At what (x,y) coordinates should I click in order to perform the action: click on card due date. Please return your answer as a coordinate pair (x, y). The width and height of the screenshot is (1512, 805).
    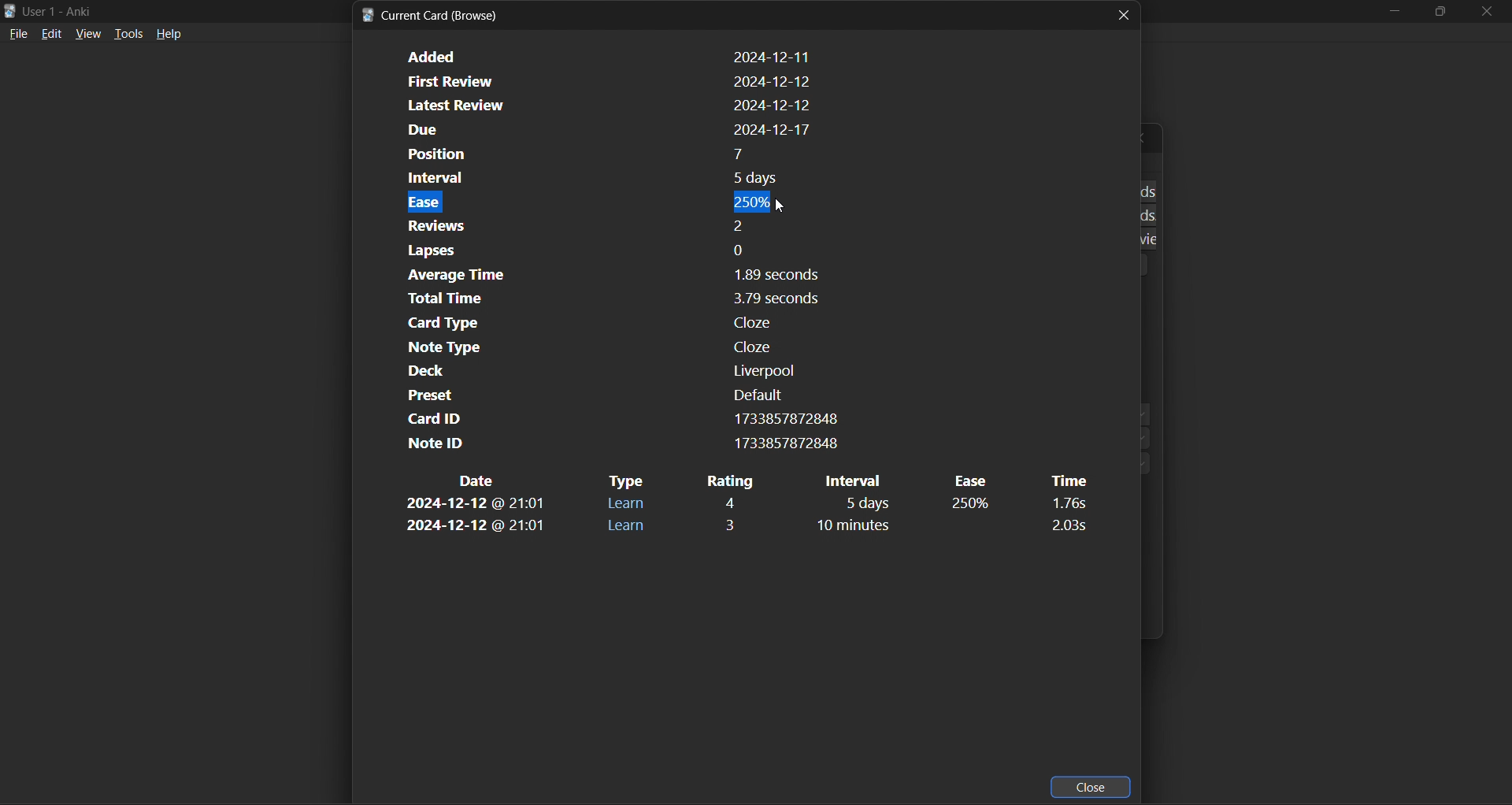
    Looking at the image, I should click on (605, 131).